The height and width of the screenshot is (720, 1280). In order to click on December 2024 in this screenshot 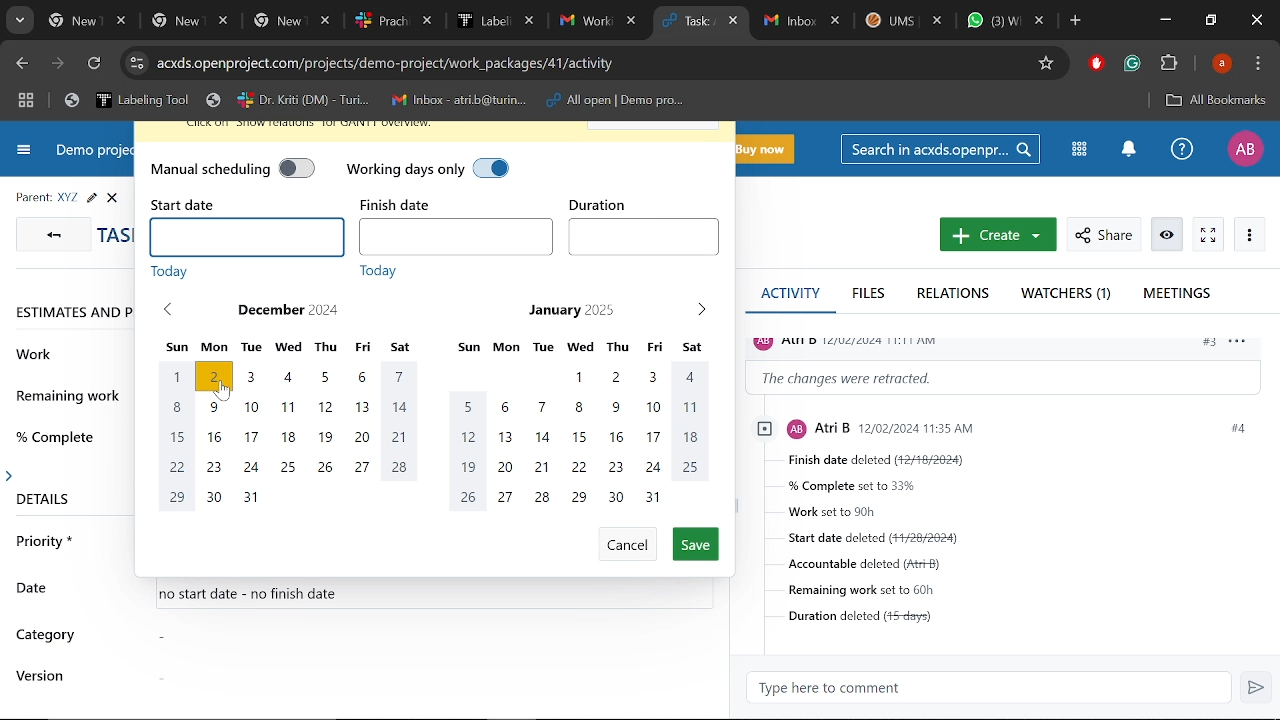, I will do `click(291, 308)`.